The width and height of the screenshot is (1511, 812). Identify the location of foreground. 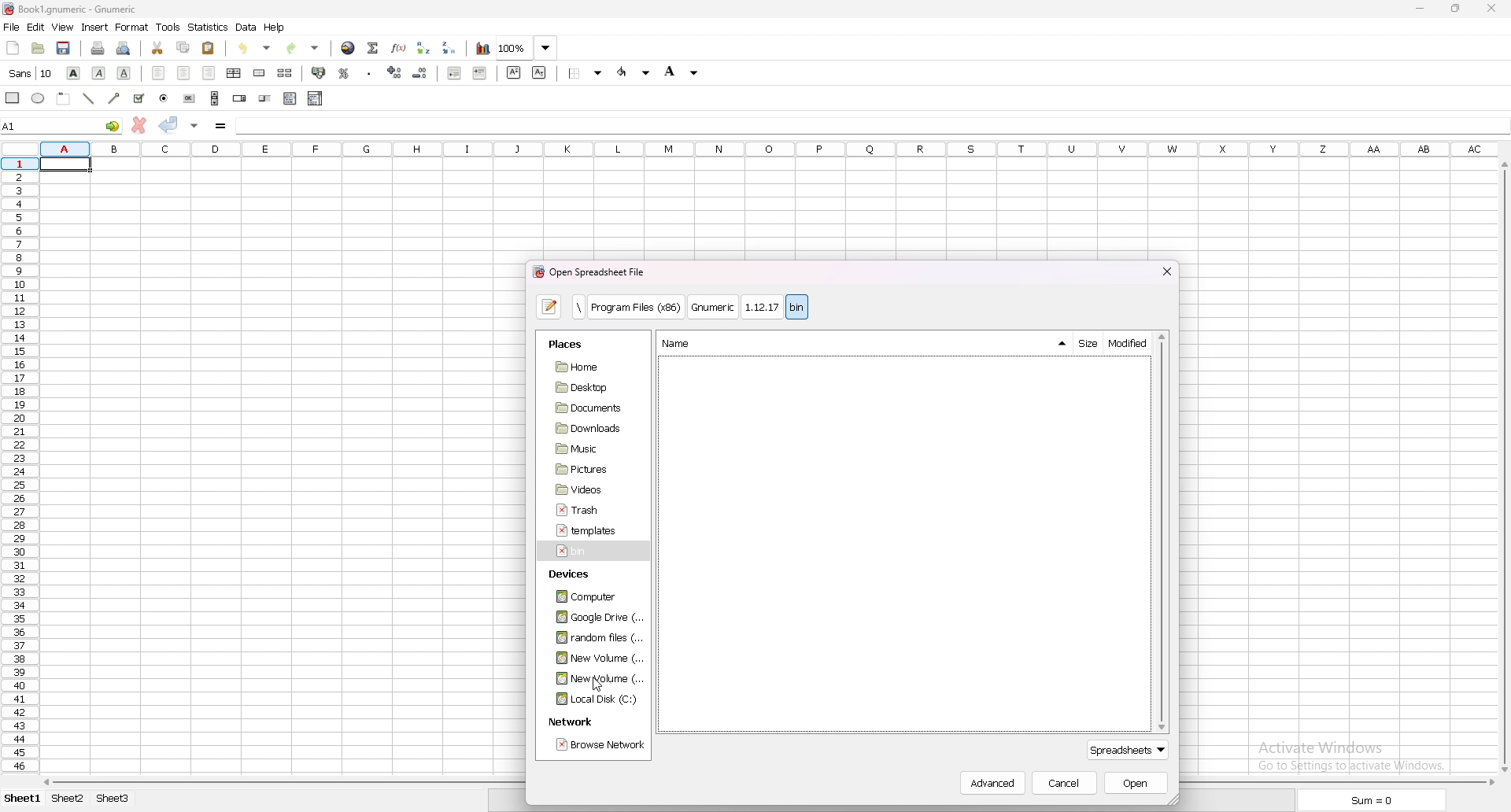
(635, 72).